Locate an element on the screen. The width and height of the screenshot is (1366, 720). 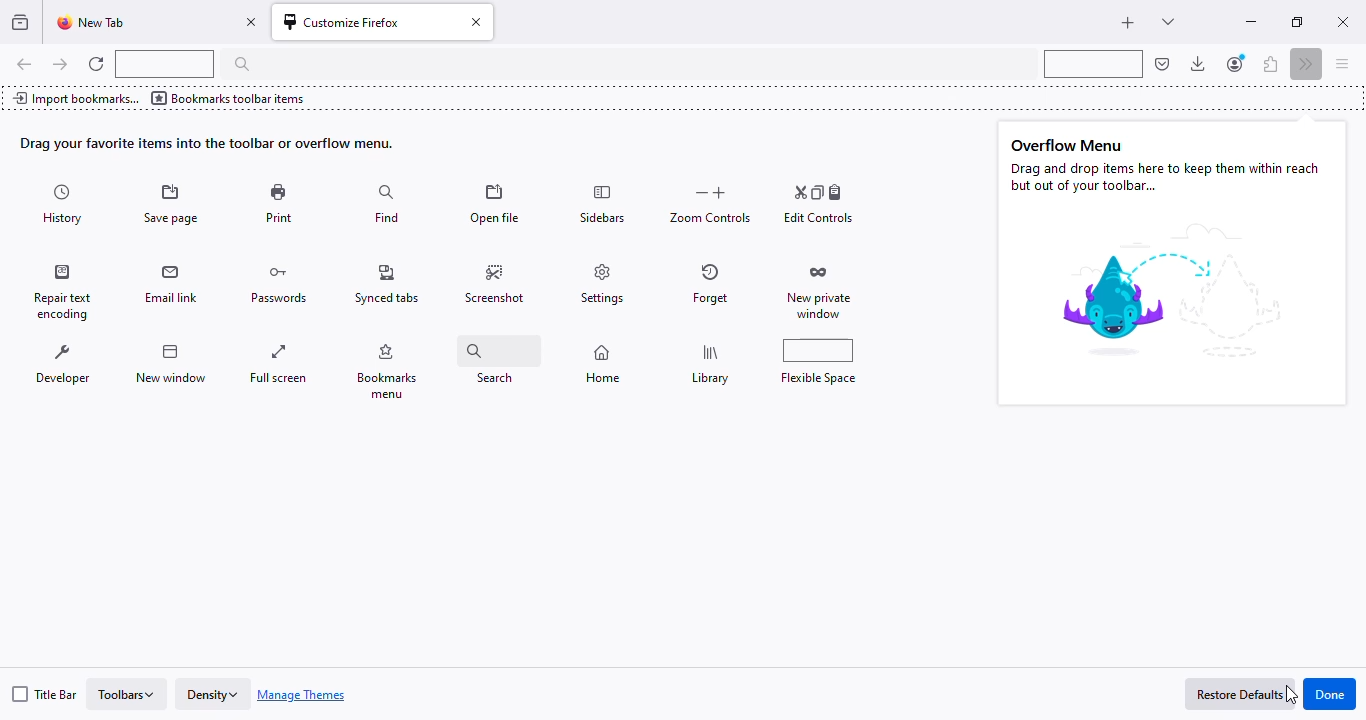
search is located at coordinates (494, 360).